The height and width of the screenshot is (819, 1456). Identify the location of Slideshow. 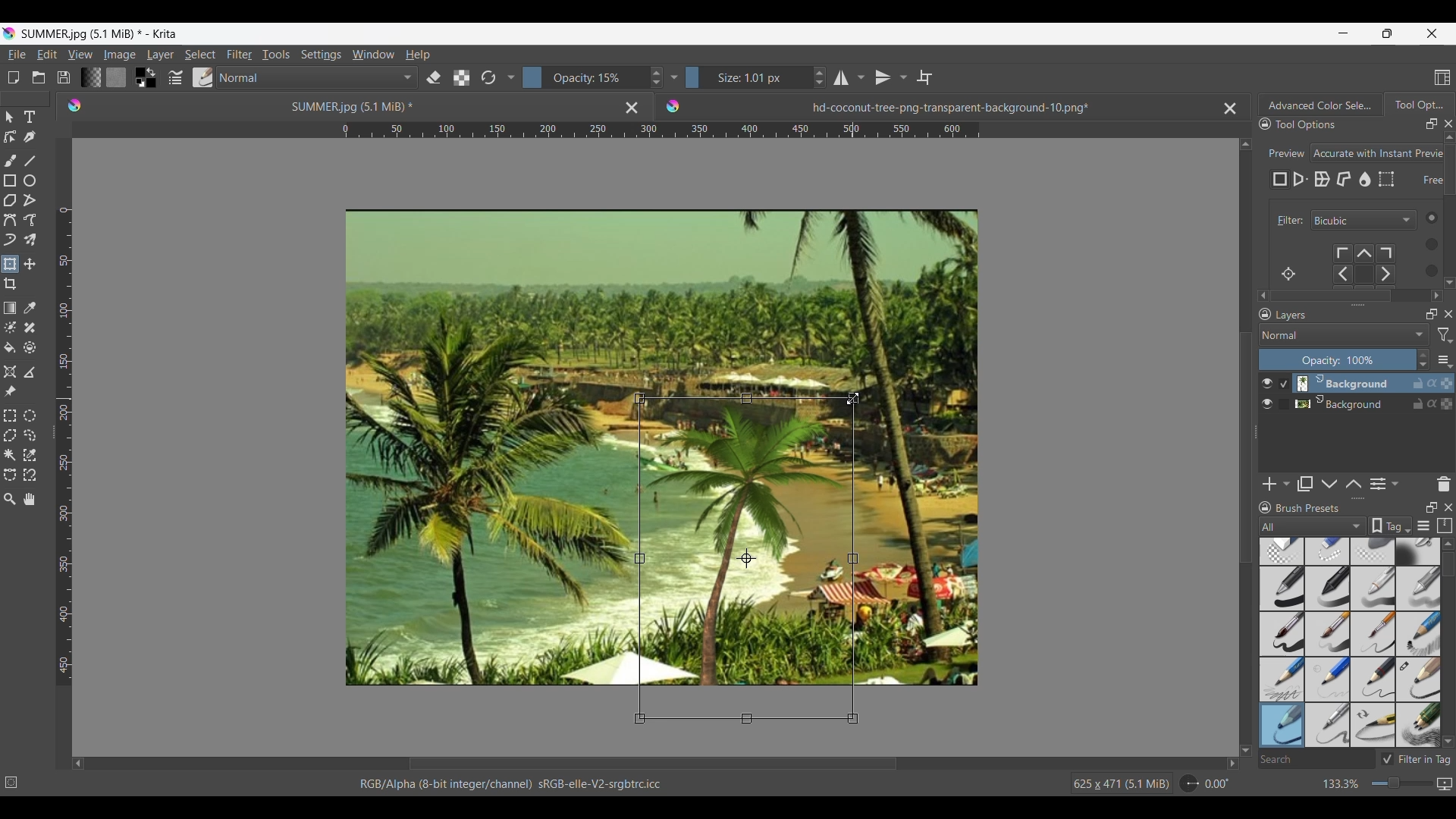
(1444, 781).